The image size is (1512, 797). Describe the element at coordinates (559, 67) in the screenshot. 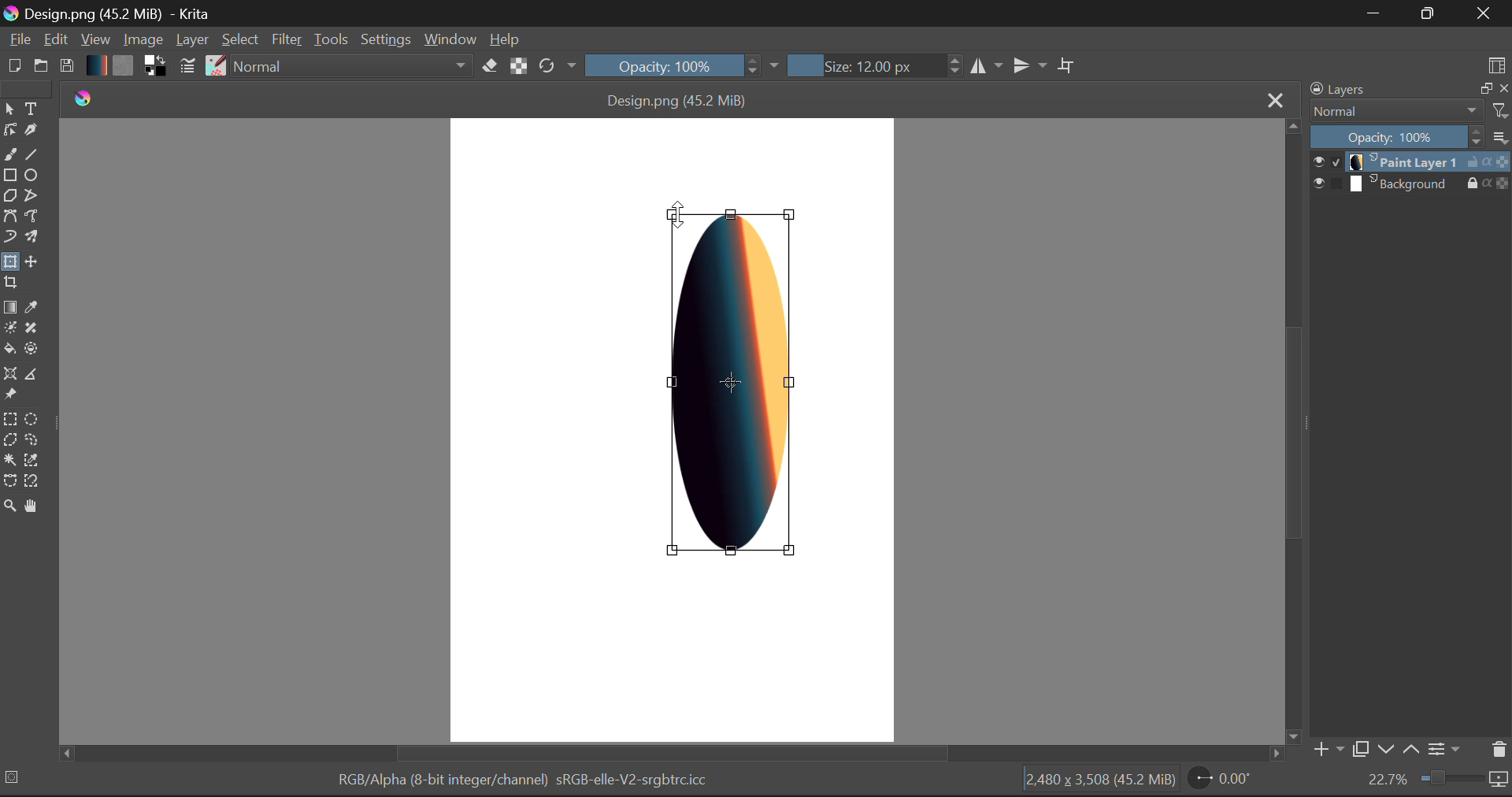

I see `Rotate` at that location.